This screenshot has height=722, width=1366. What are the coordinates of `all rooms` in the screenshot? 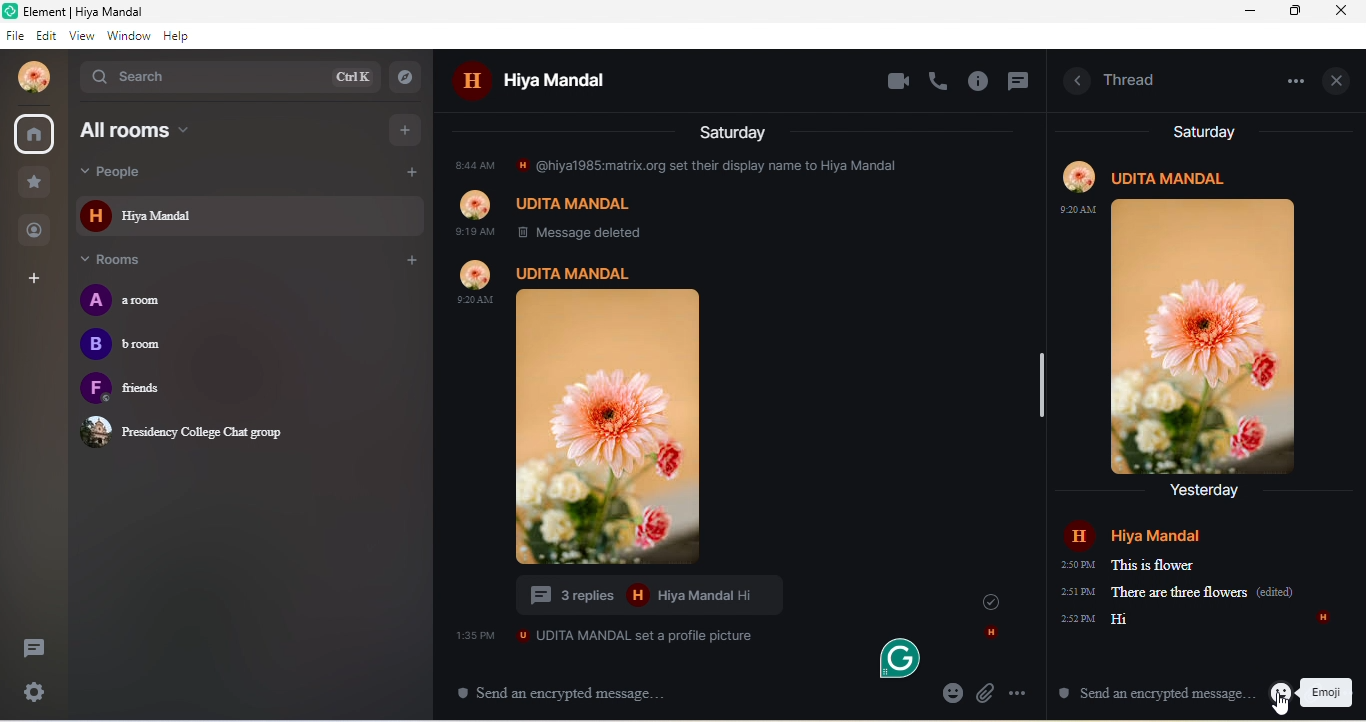 It's located at (36, 135).